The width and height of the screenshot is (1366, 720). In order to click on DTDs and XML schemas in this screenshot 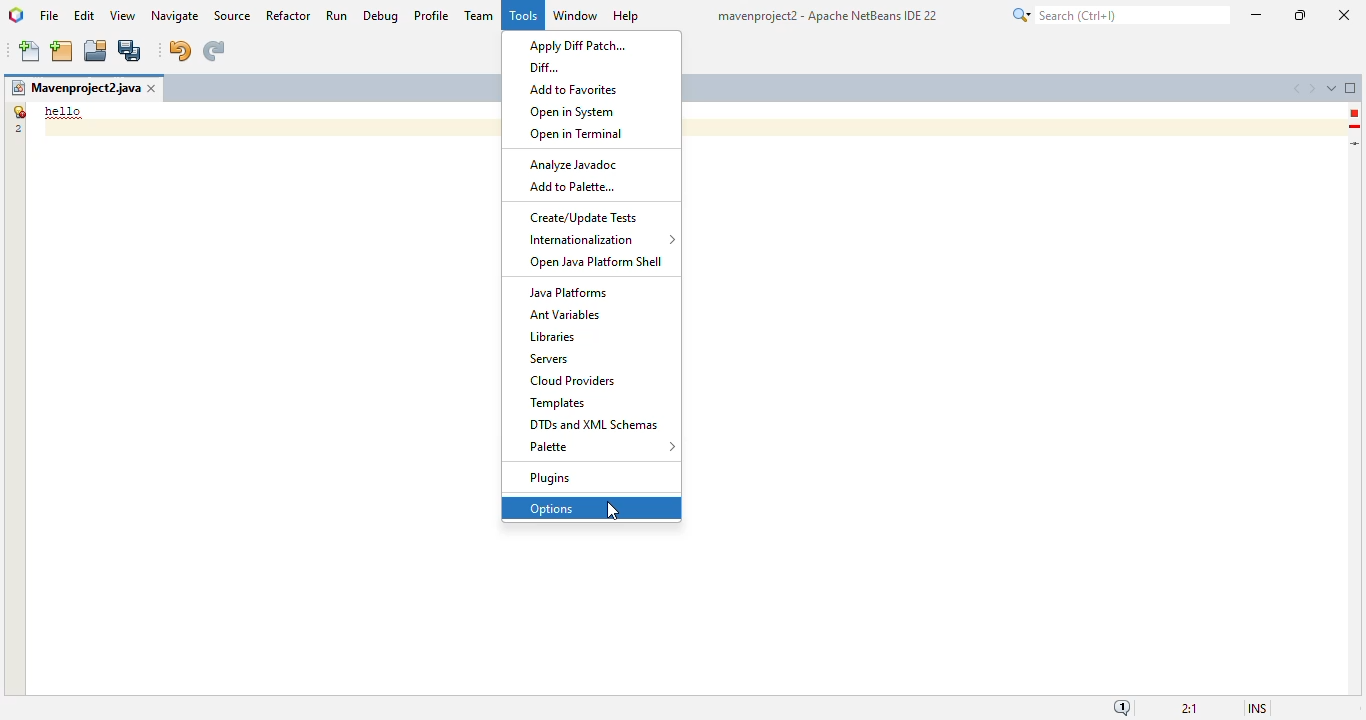, I will do `click(592, 424)`.